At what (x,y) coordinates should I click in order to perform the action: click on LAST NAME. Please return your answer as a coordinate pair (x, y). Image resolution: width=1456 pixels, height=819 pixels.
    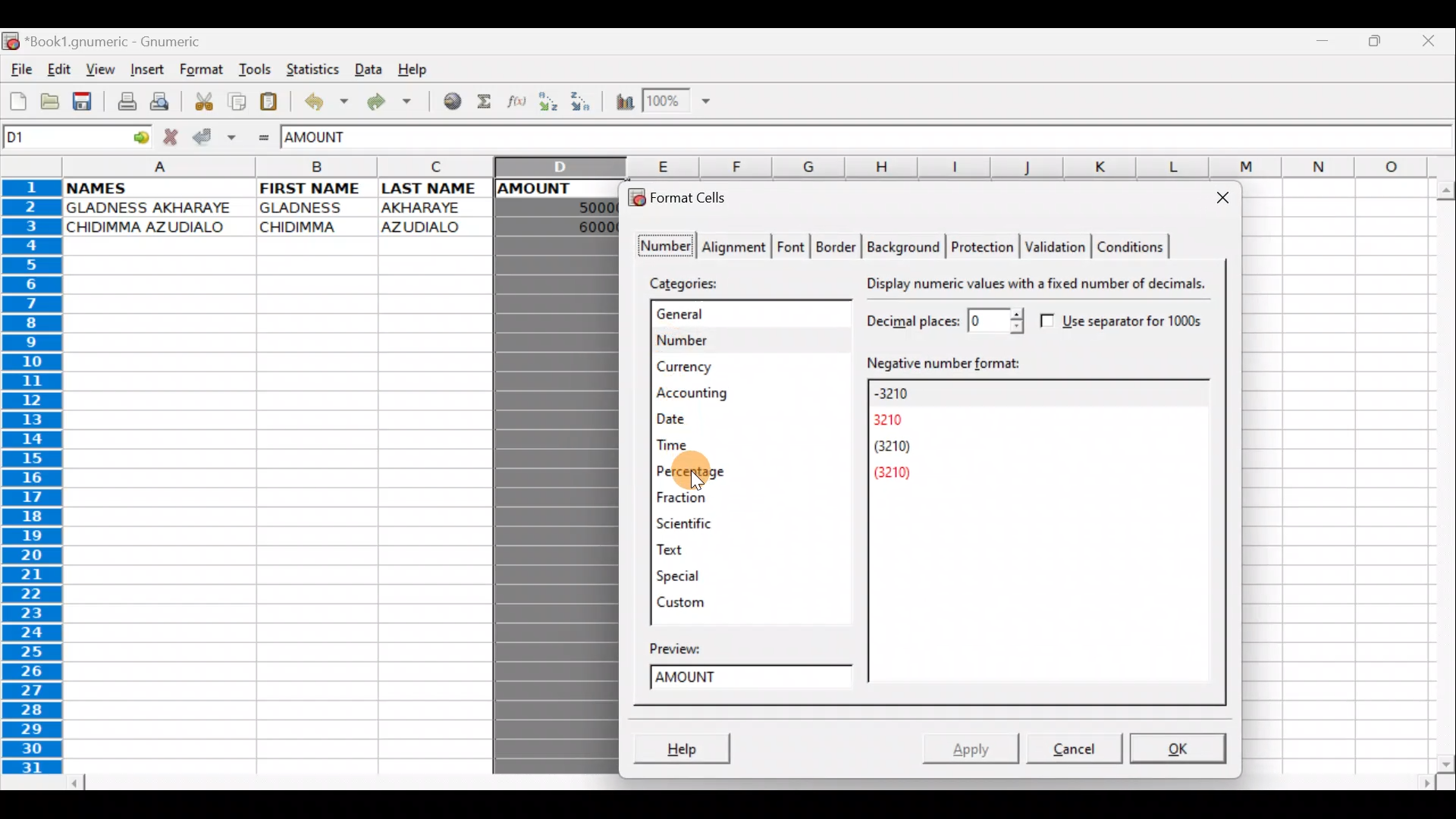
    Looking at the image, I should click on (436, 190).